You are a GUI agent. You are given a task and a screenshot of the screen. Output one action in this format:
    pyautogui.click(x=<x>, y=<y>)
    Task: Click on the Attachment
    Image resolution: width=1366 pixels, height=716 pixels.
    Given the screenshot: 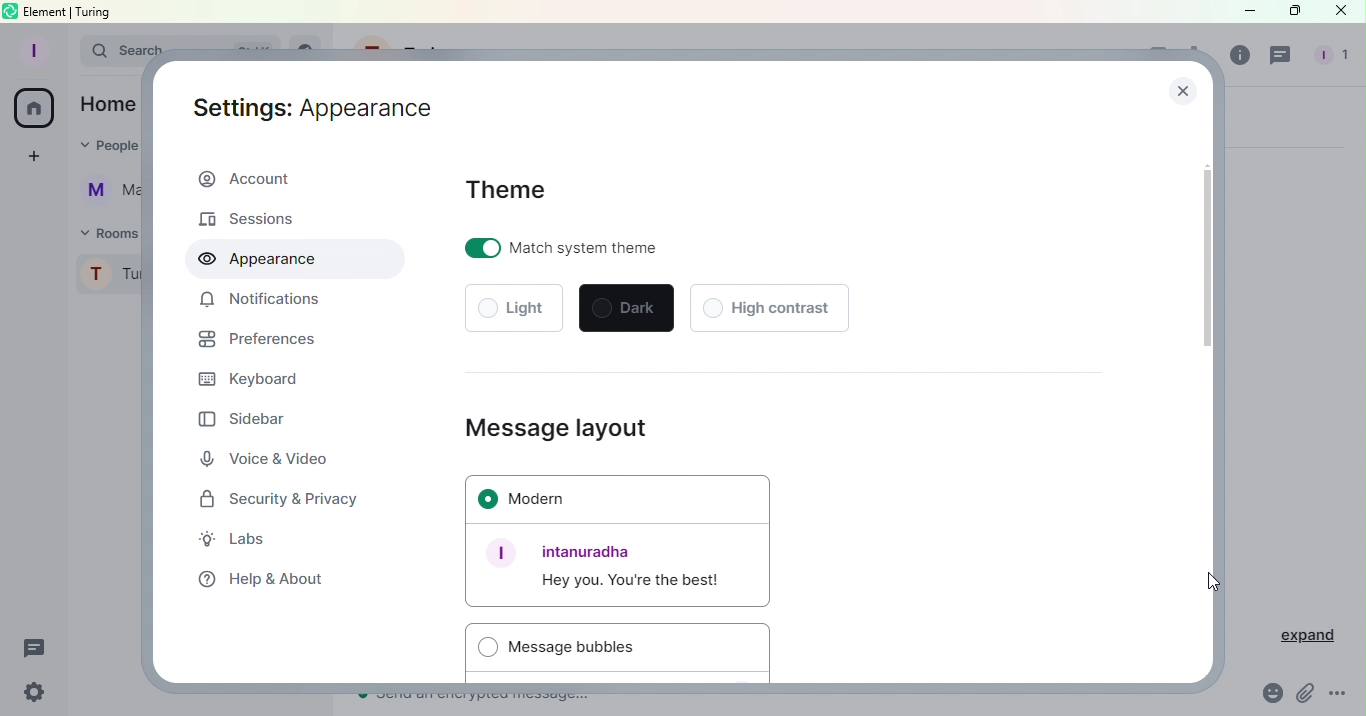 What is the action you would take?
    pyautogui.click(x=1302, y=695)
    